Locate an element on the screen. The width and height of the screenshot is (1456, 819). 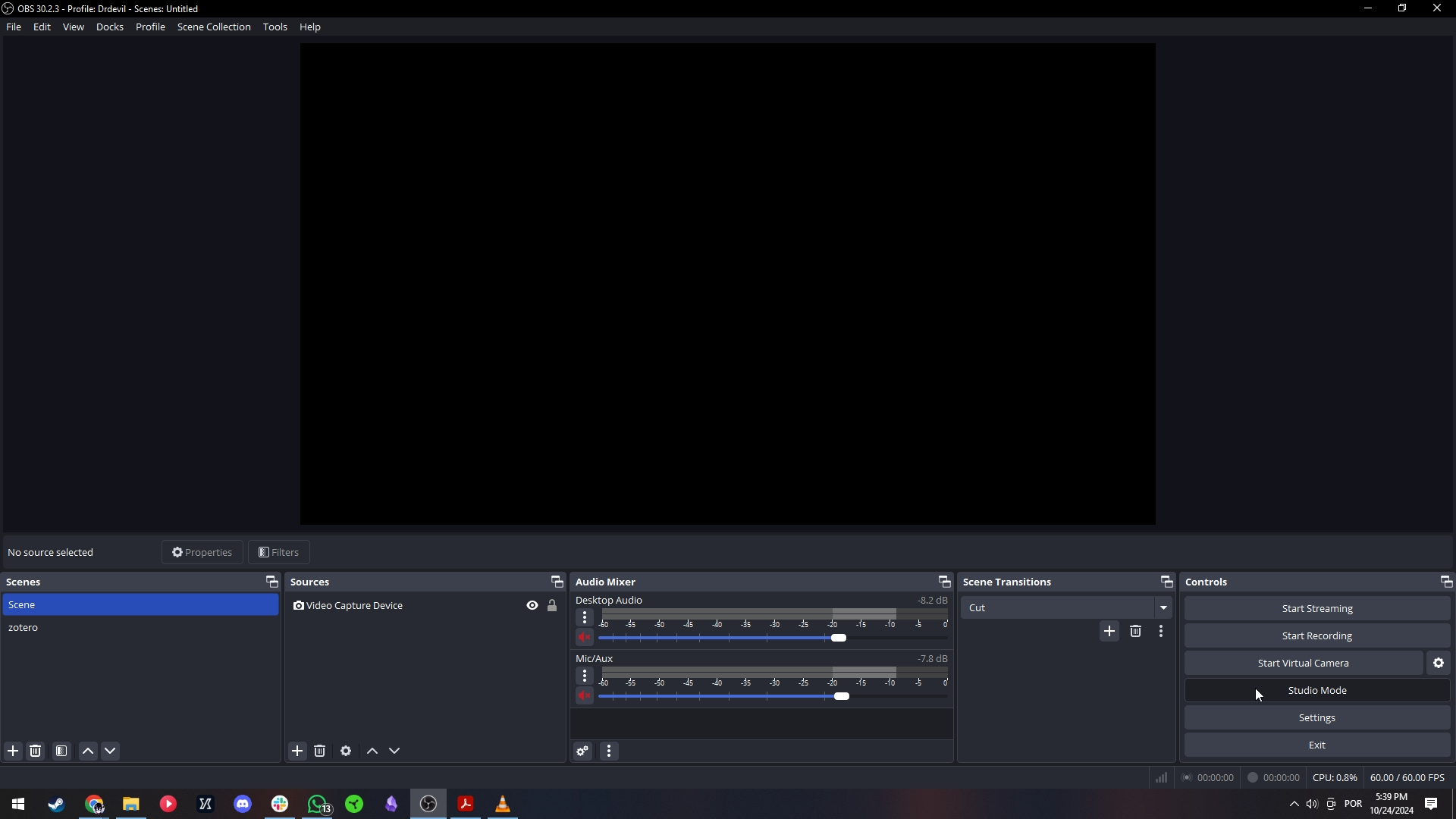
Studio mode is located at coordinates (1317, 691).